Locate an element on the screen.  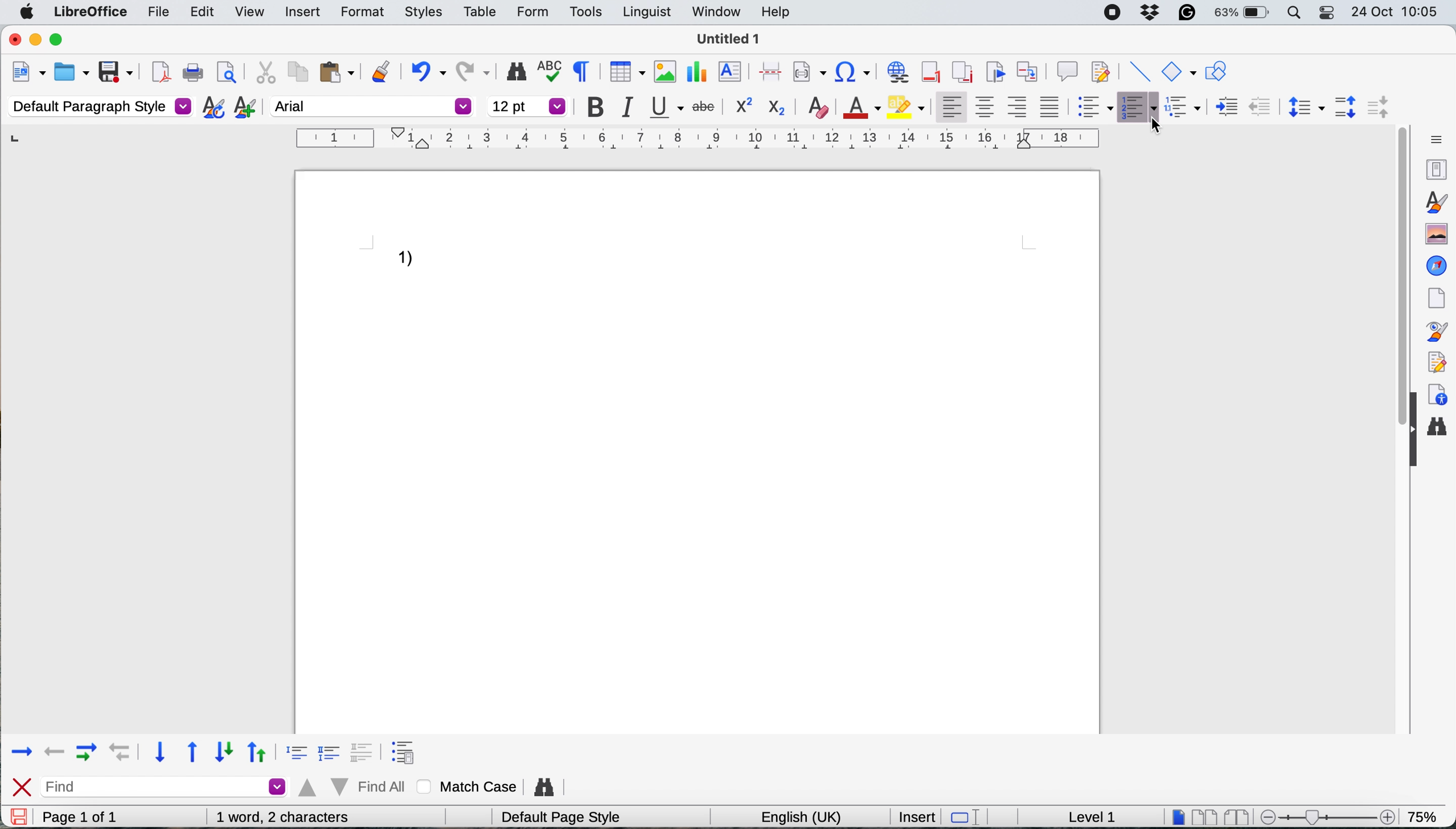
align left is located at coordinates (951, 104).